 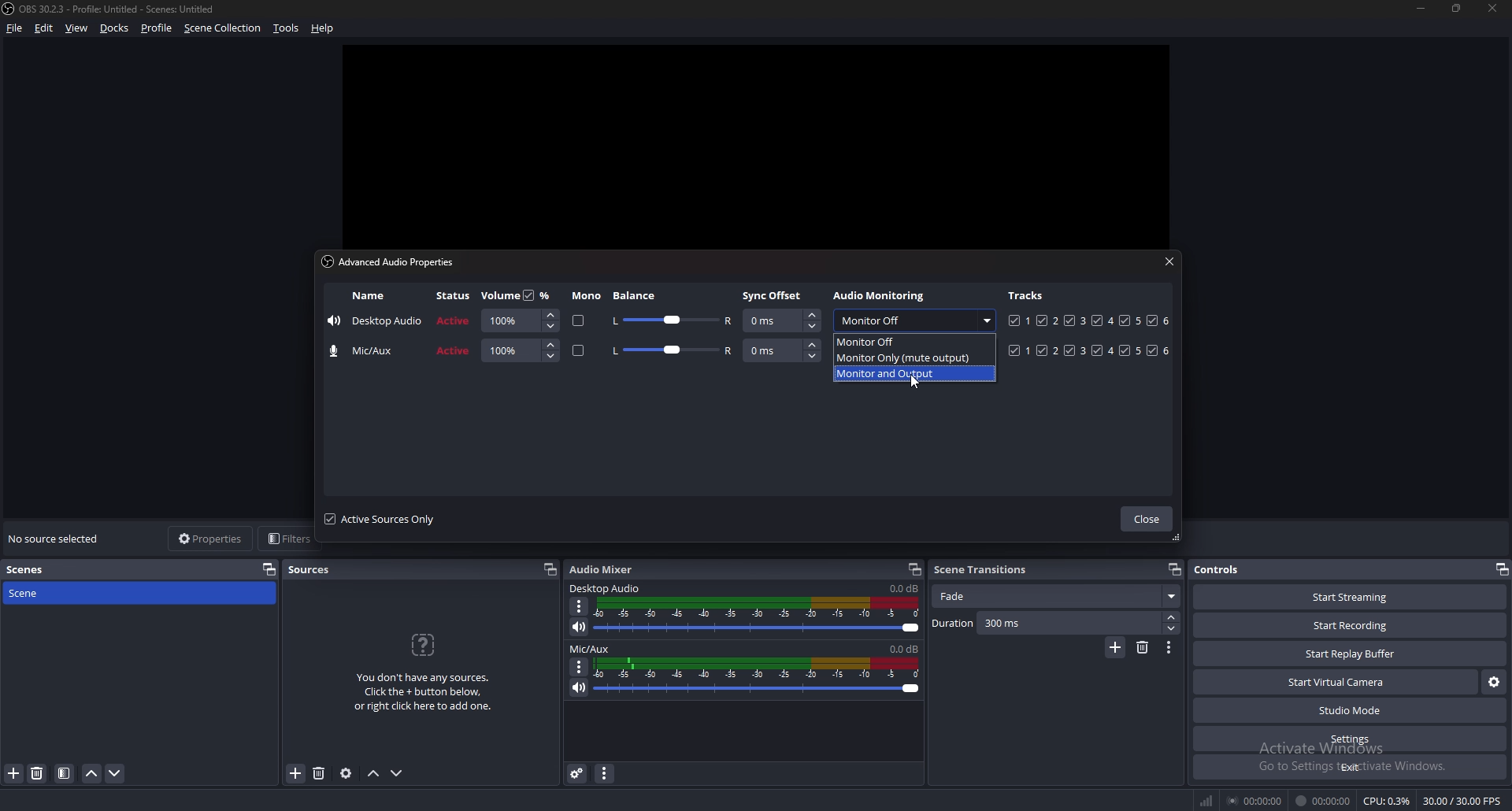 What do you see at coordinates (781, 320) in the screenshot?
I see `sync offset adjust` at bounding box center [781, 320].